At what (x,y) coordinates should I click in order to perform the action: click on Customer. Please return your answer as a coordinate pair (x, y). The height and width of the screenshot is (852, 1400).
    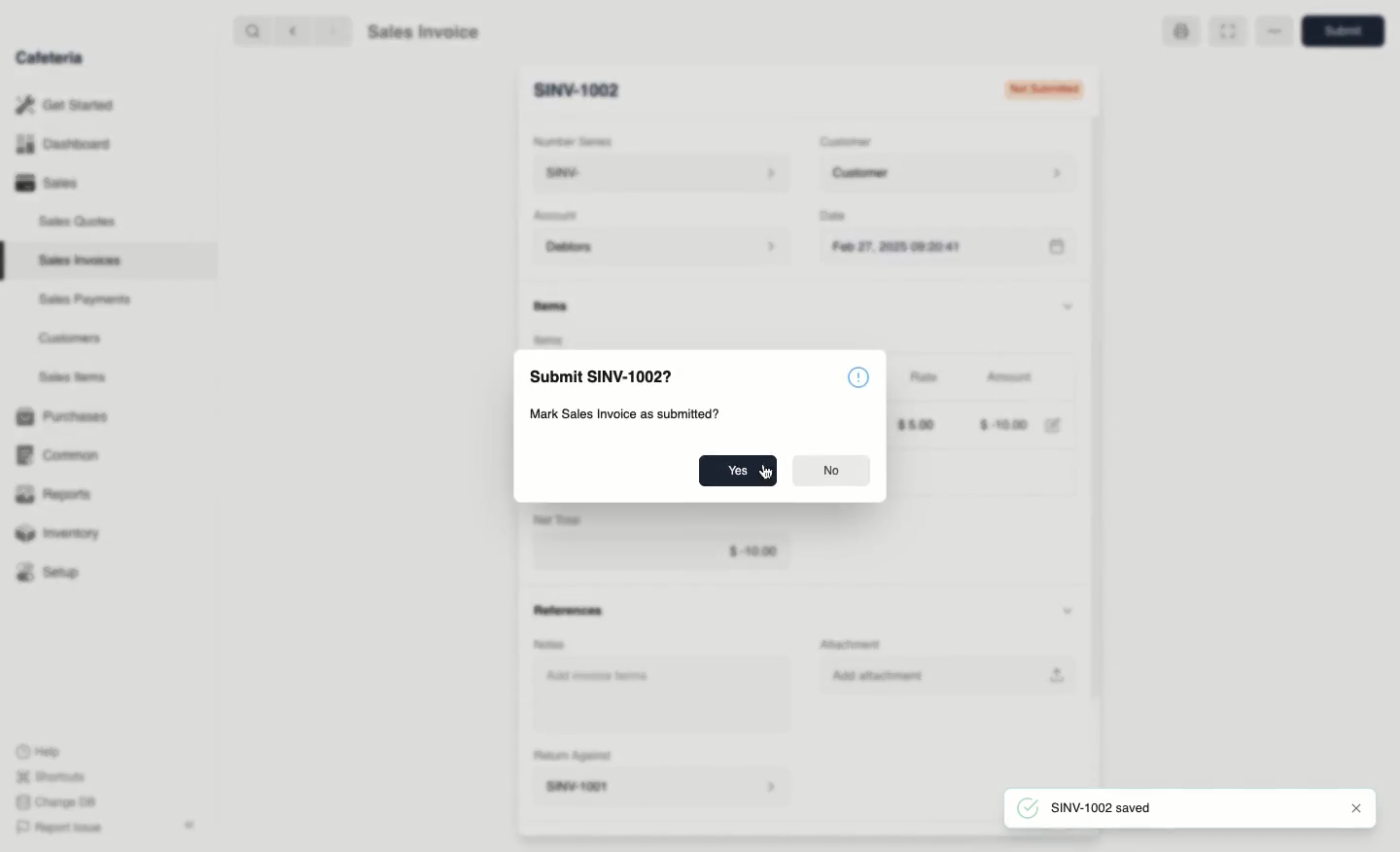
    Looking at the image, I should click on (954, 174).